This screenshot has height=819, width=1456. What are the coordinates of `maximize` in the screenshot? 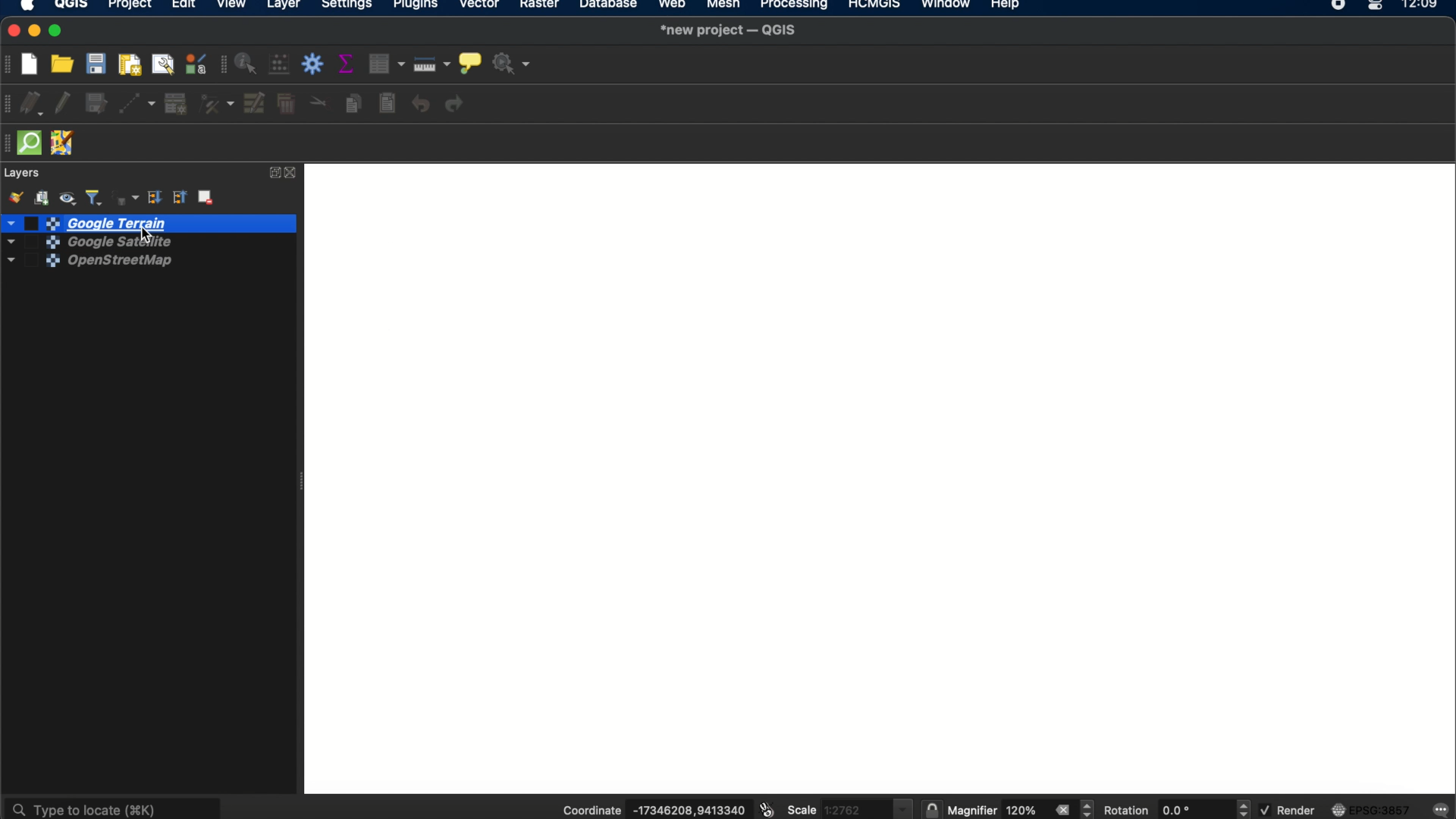 It's located at (58, 31).